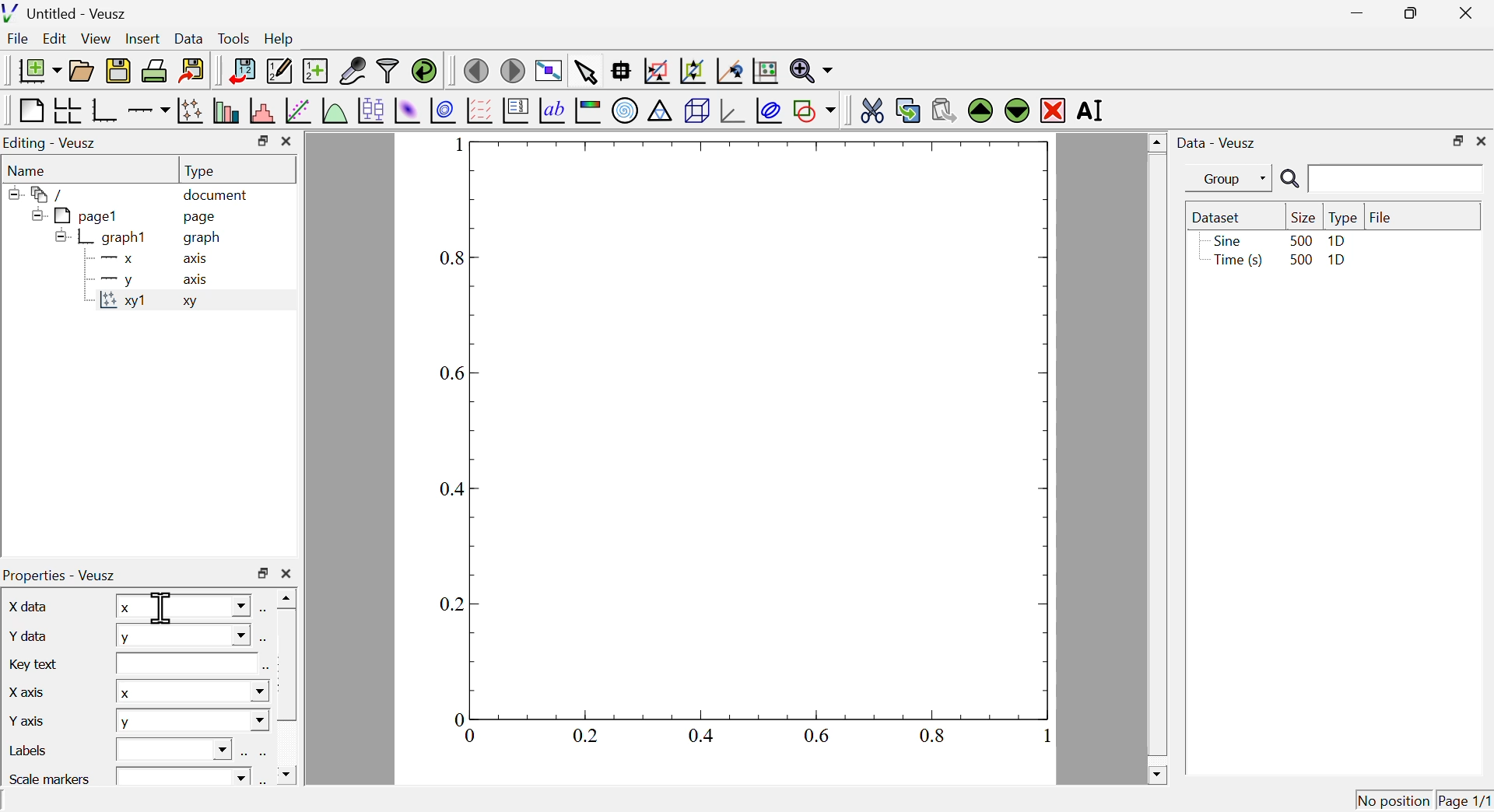 This screenshot has width=1494, height=812. I want to click on create new data sets using ranges, so click(315, 69).